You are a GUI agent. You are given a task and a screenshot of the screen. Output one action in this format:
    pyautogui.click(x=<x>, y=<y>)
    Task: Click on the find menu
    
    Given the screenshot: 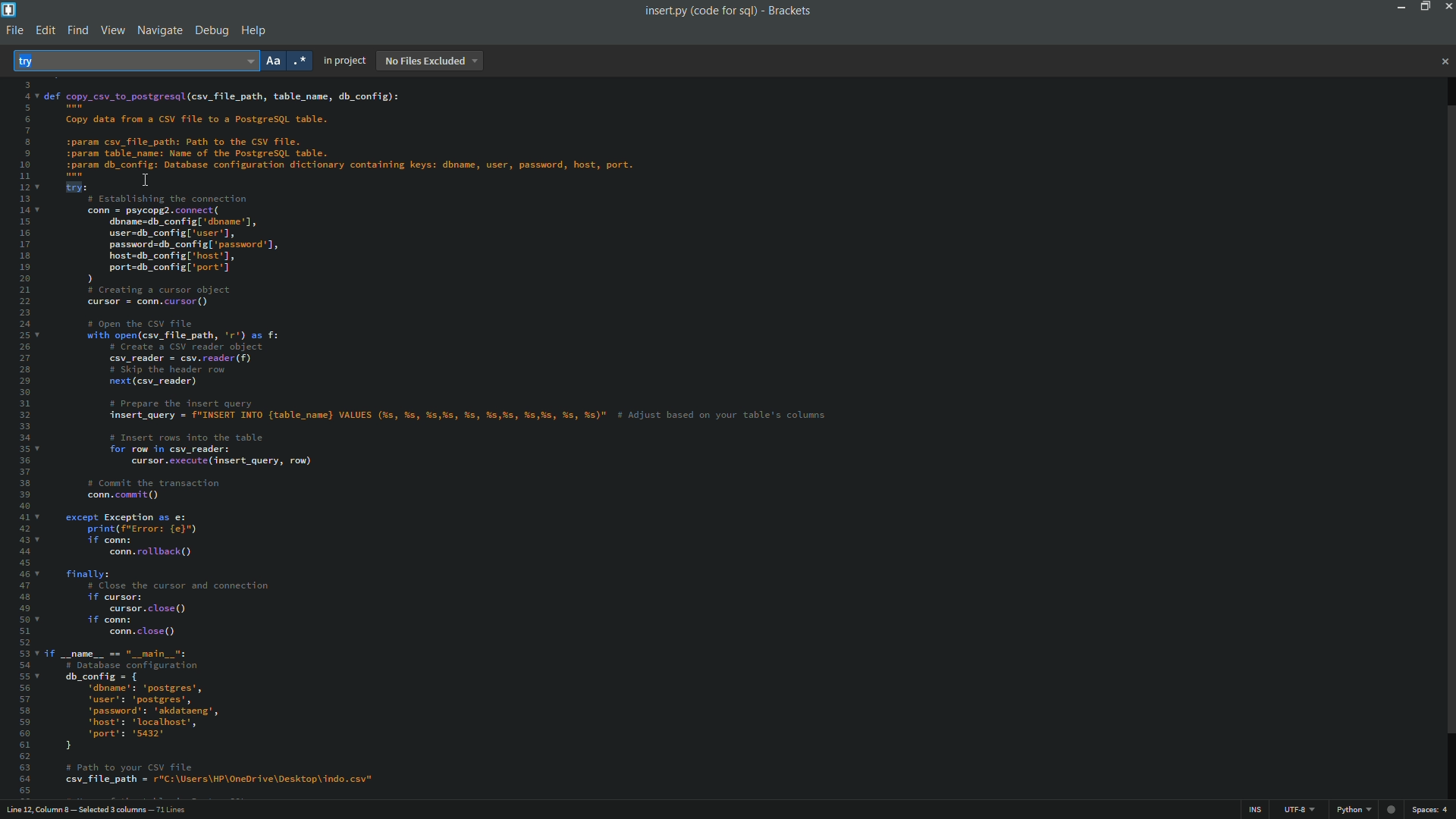 What is the action you would take?
    pyautogui.click(x=76, y=30)
    